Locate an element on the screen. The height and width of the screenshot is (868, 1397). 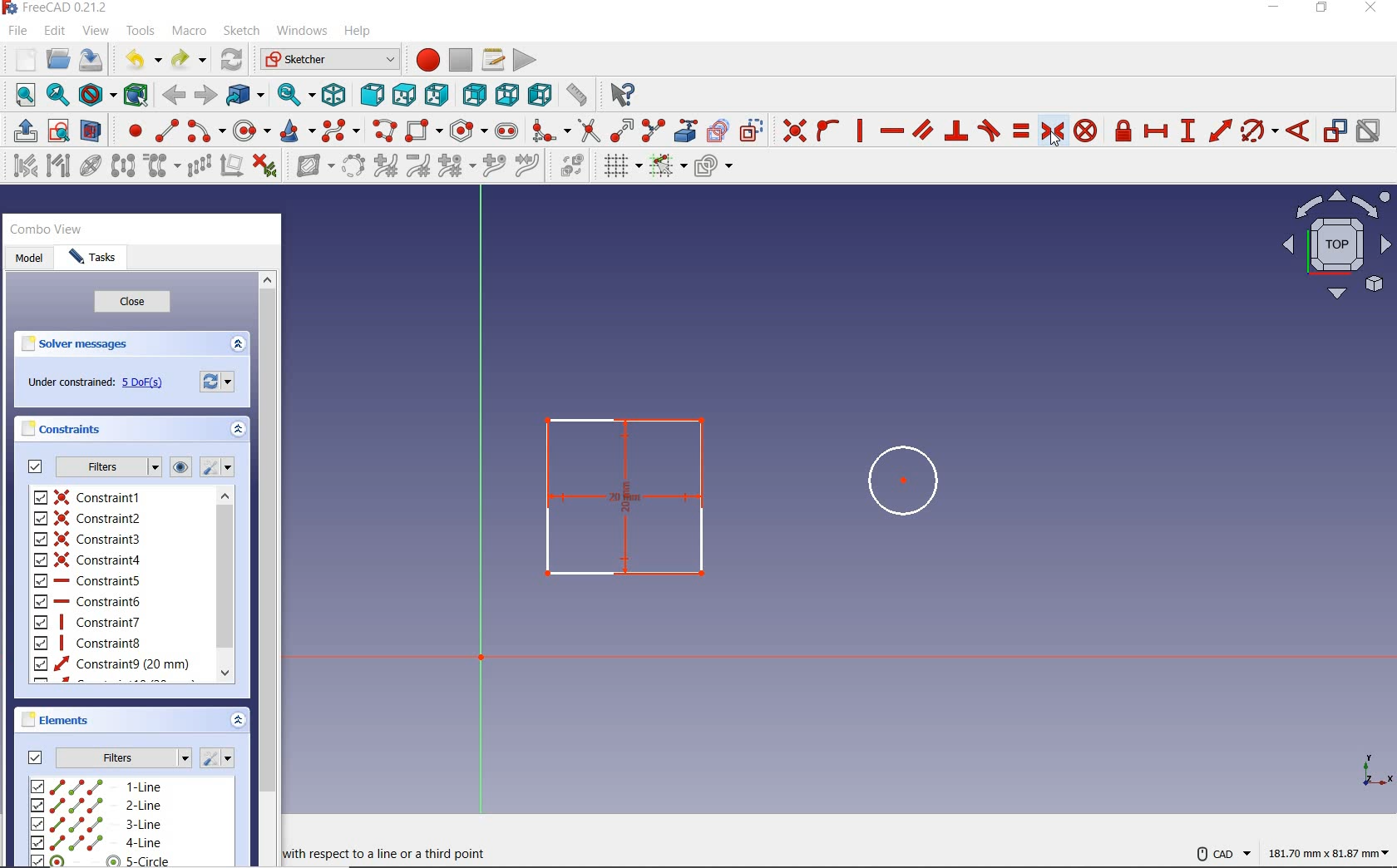
constraint4 is located at coordinates (89, 560).